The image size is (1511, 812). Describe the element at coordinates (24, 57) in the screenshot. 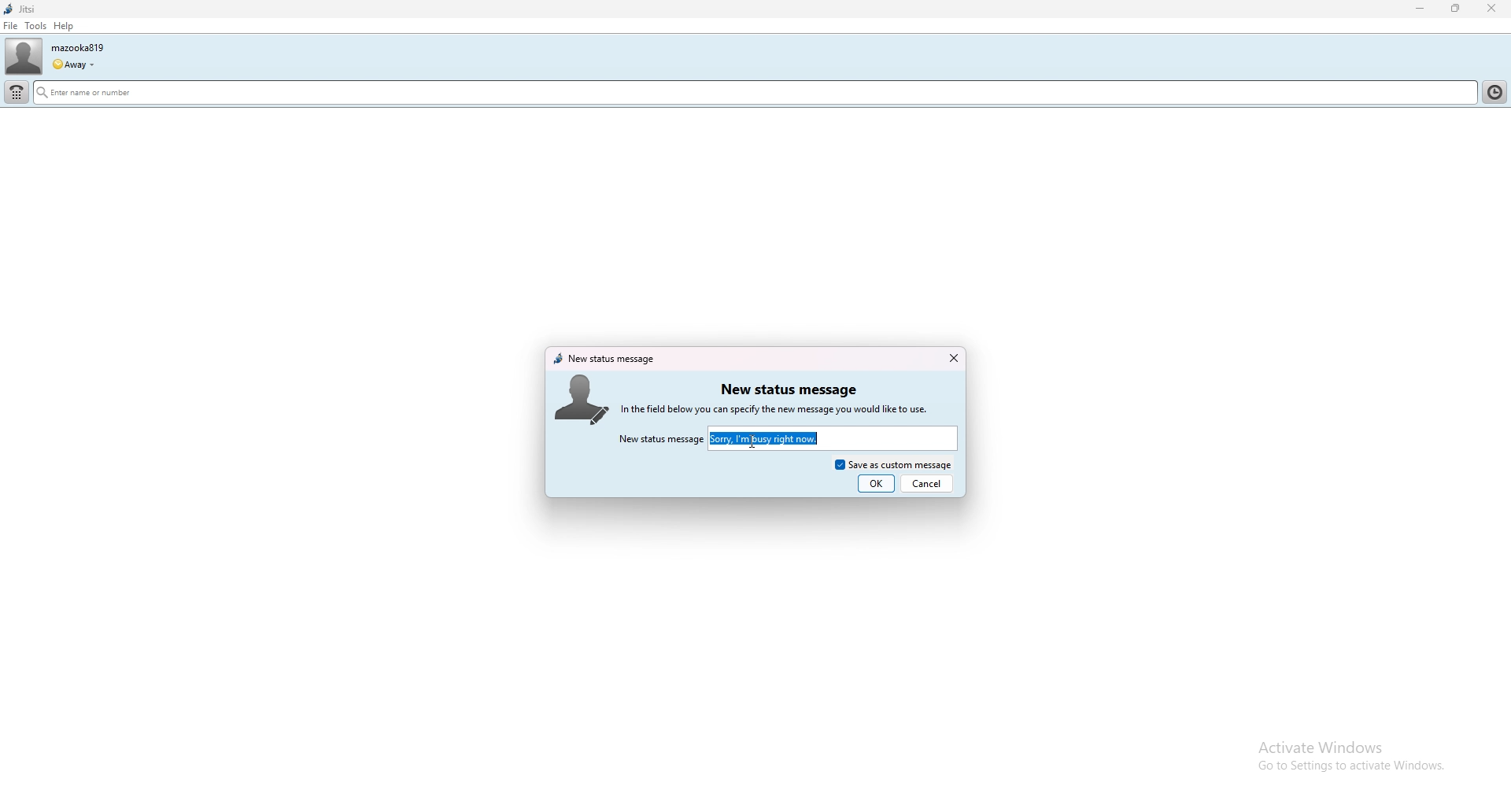

I see `user photo` at that location.